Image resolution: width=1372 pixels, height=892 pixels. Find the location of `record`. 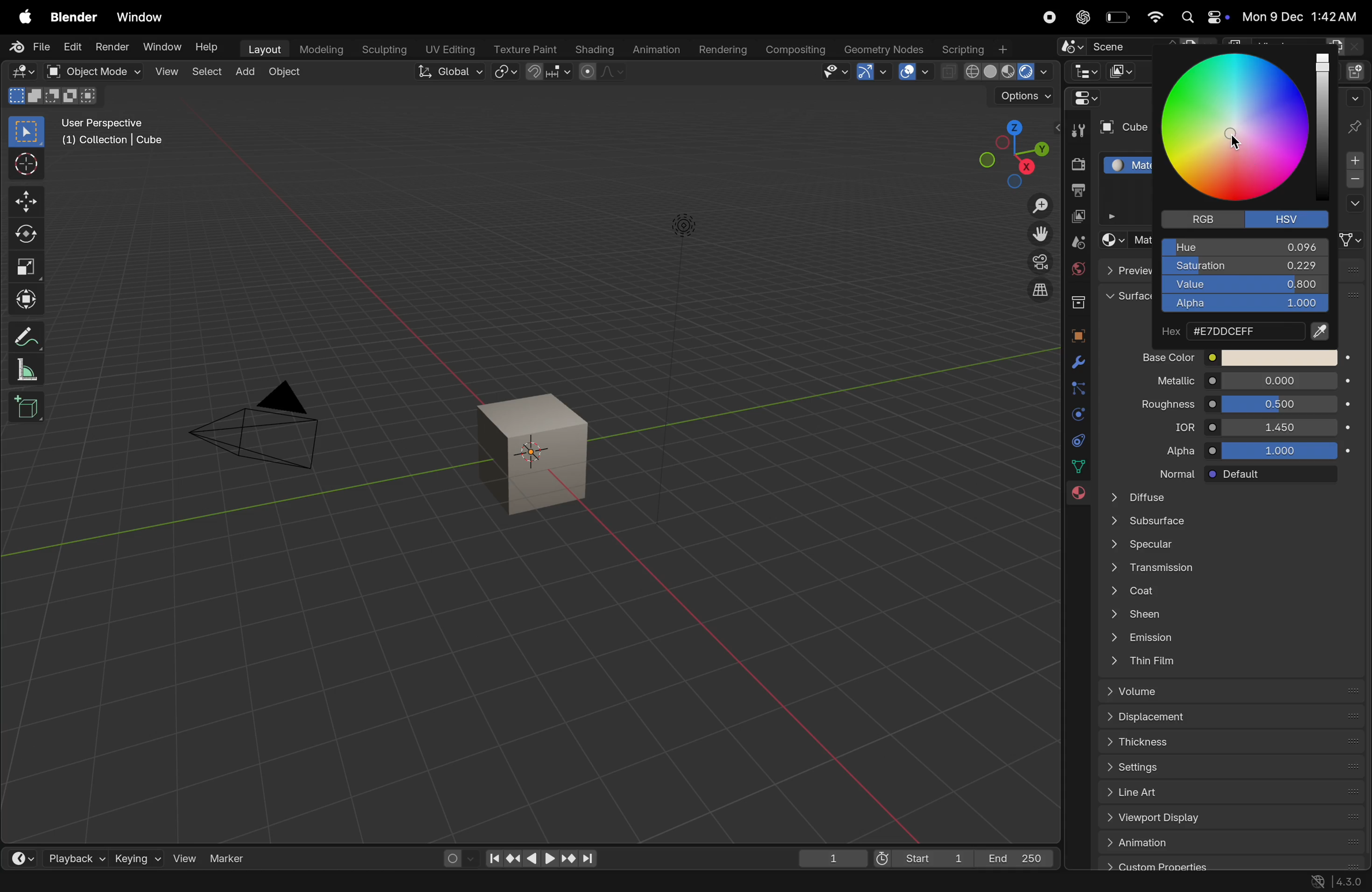

record is located at coordinates (1046, 17).